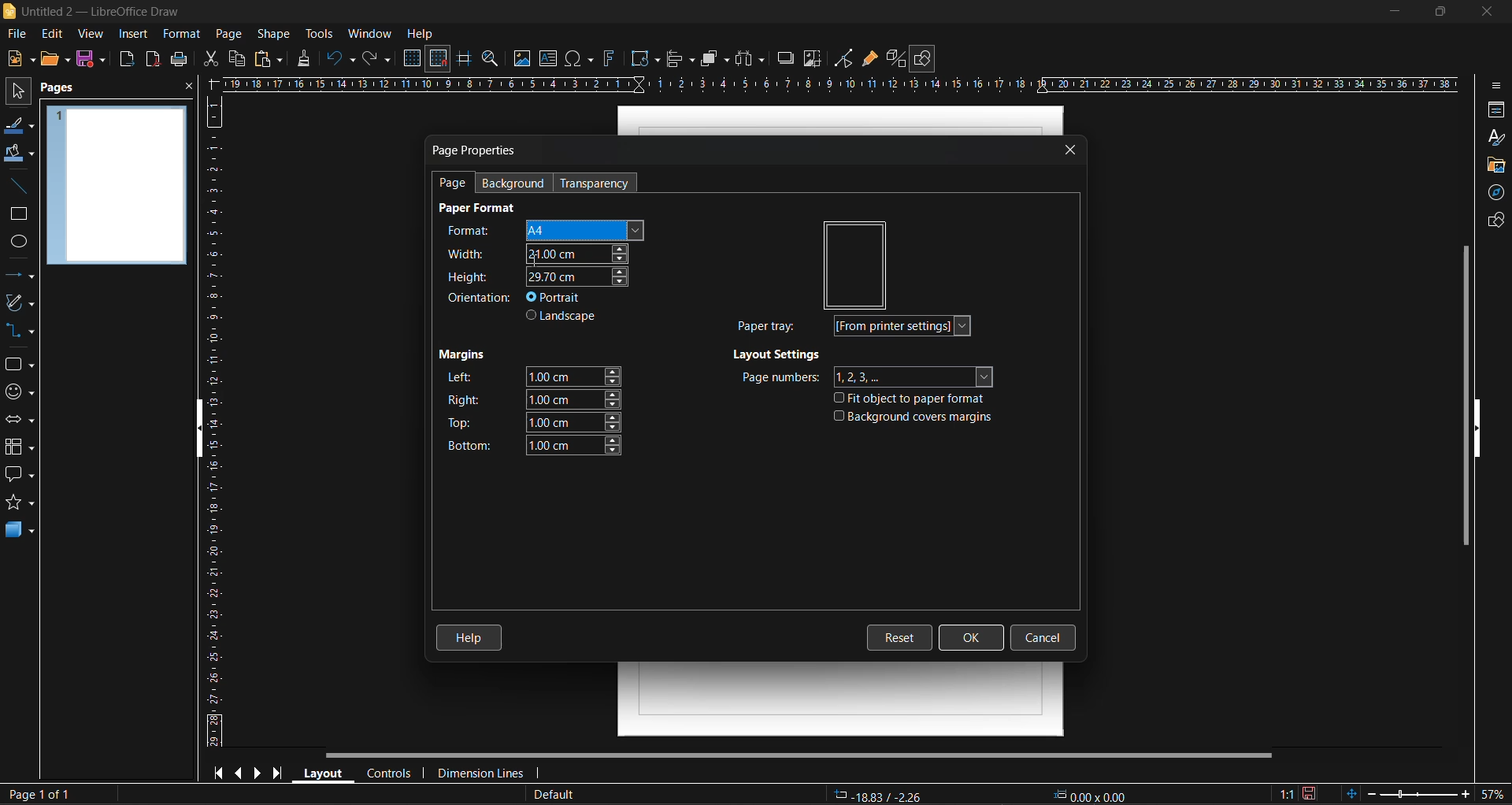 Image resolution: width=1512 pixels, height=805 pixels. Describe the element at coordinates (598, 184) in the screenshot. I see `transparency` at that location.